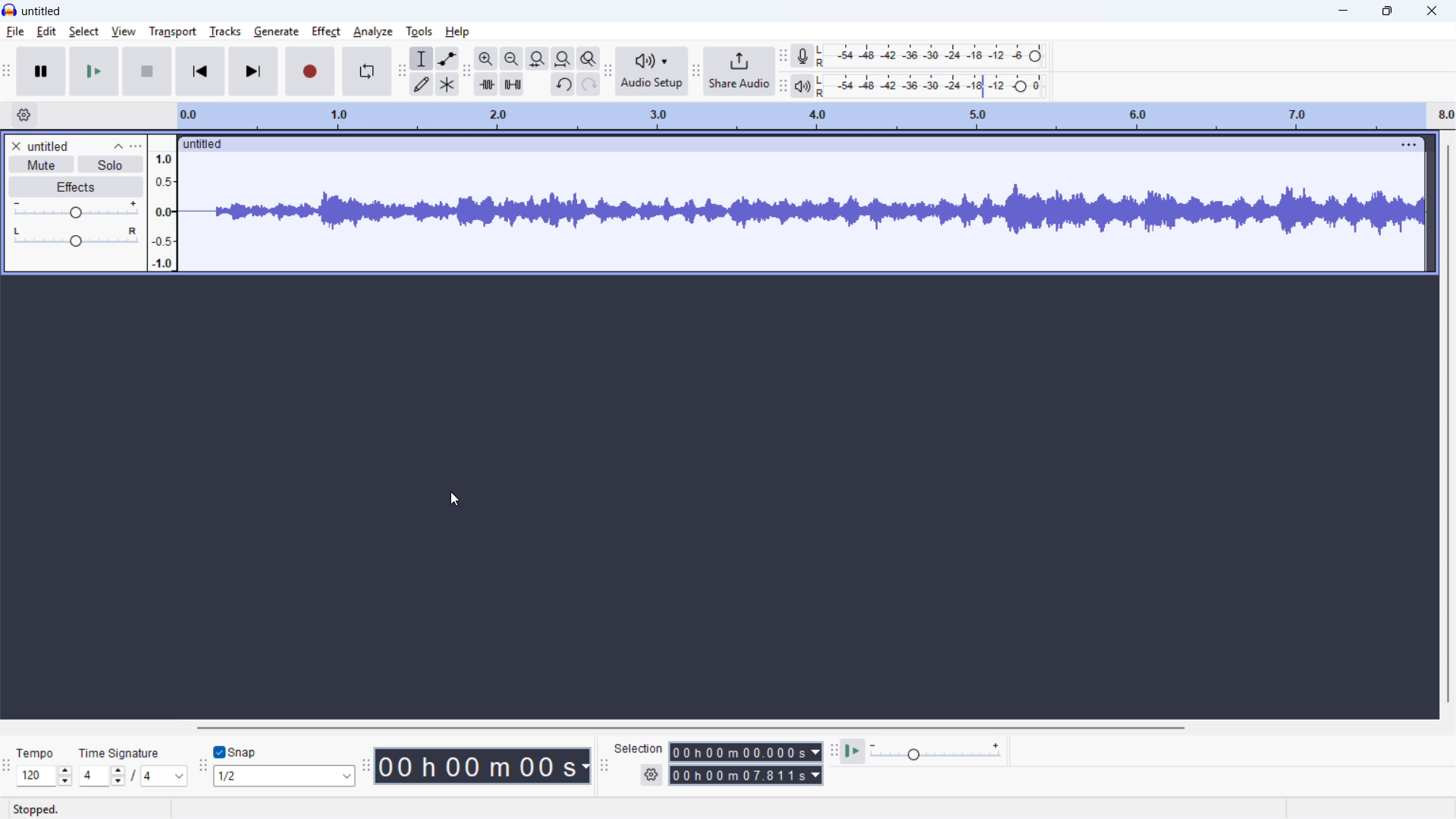  Describe the element at coordinates (537, 59) in the screenshot. I see `fit selection to width` at that location.